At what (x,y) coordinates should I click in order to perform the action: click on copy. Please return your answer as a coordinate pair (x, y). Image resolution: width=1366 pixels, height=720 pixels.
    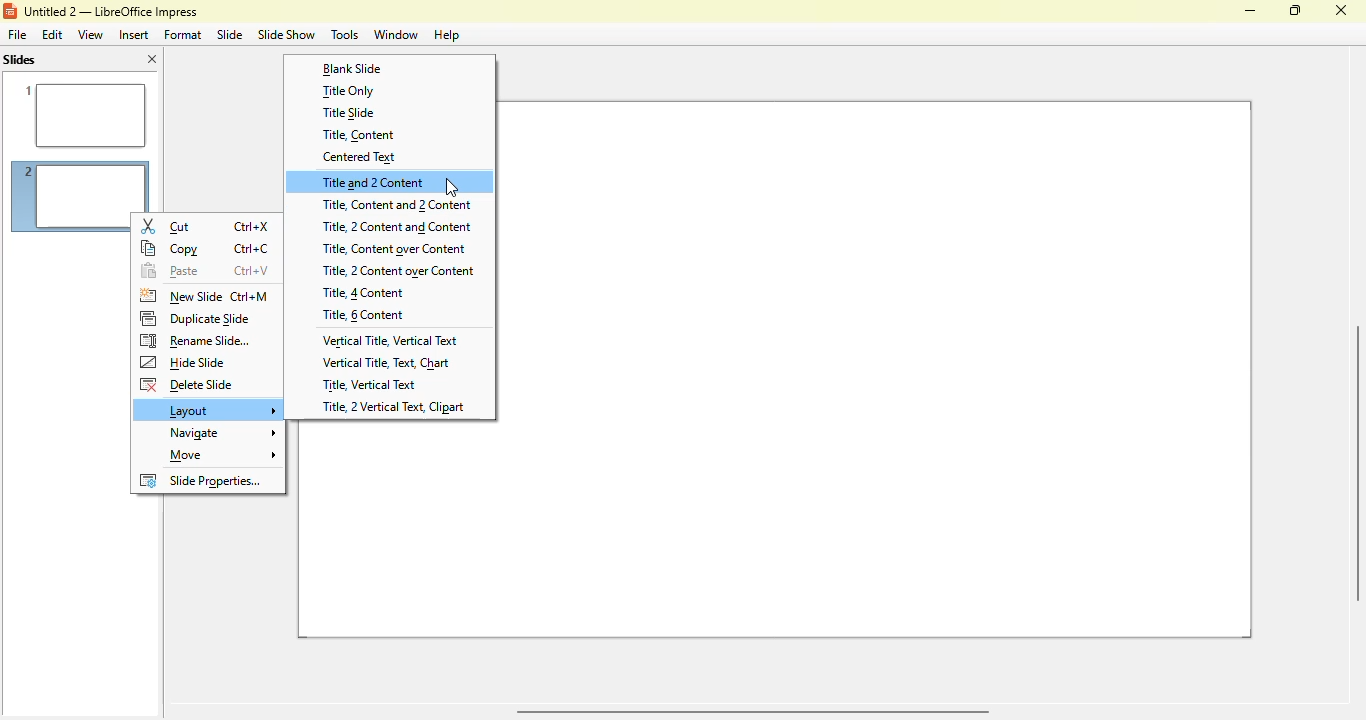
    Looking at the image, I should click on (169, 248).